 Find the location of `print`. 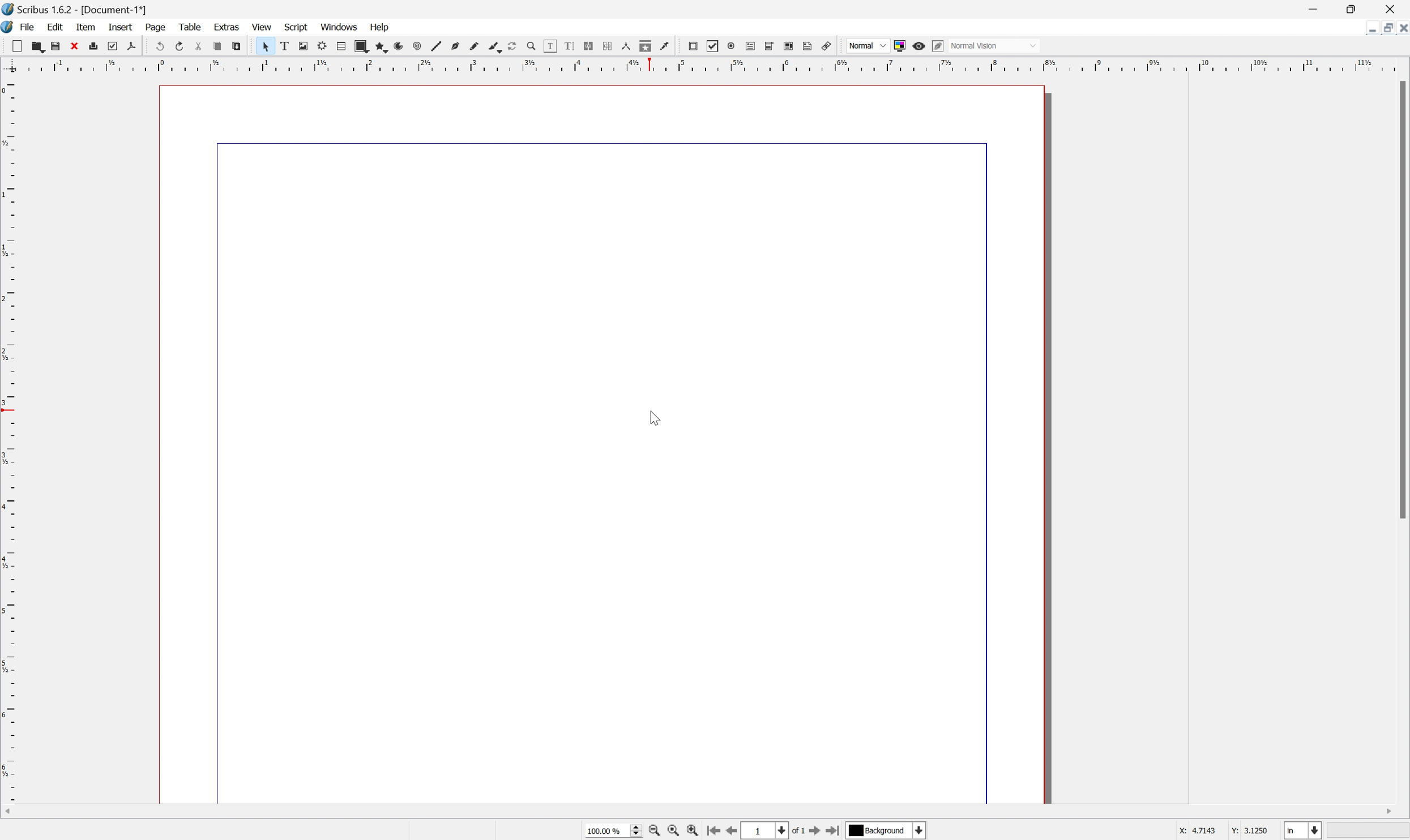

print is located at coordinates (93, 47).